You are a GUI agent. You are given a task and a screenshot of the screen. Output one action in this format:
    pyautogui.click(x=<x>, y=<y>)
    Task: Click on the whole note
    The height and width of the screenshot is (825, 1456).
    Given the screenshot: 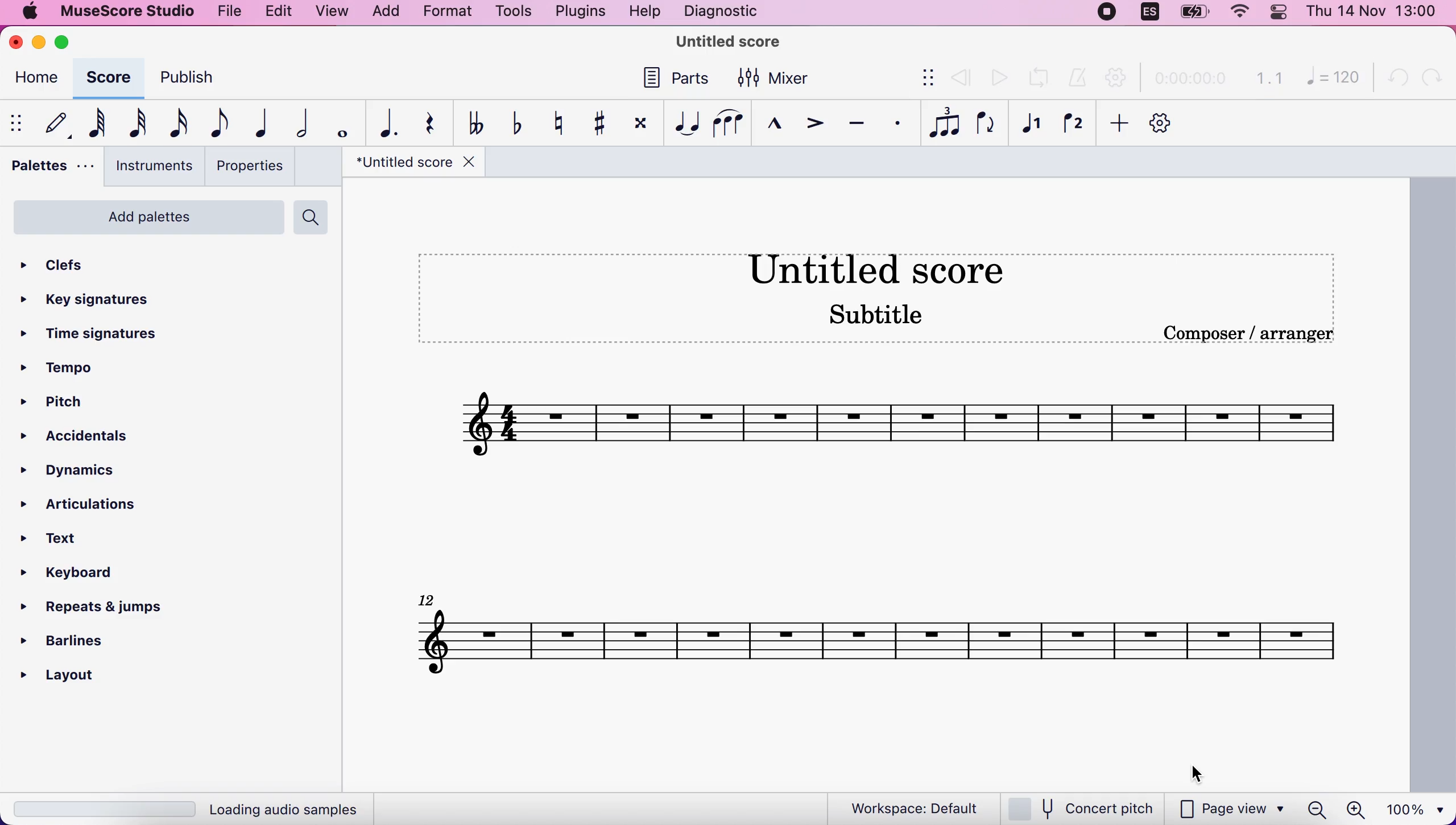 What is the action you would take?
    pyautogui.click(x=338, y=121)
    